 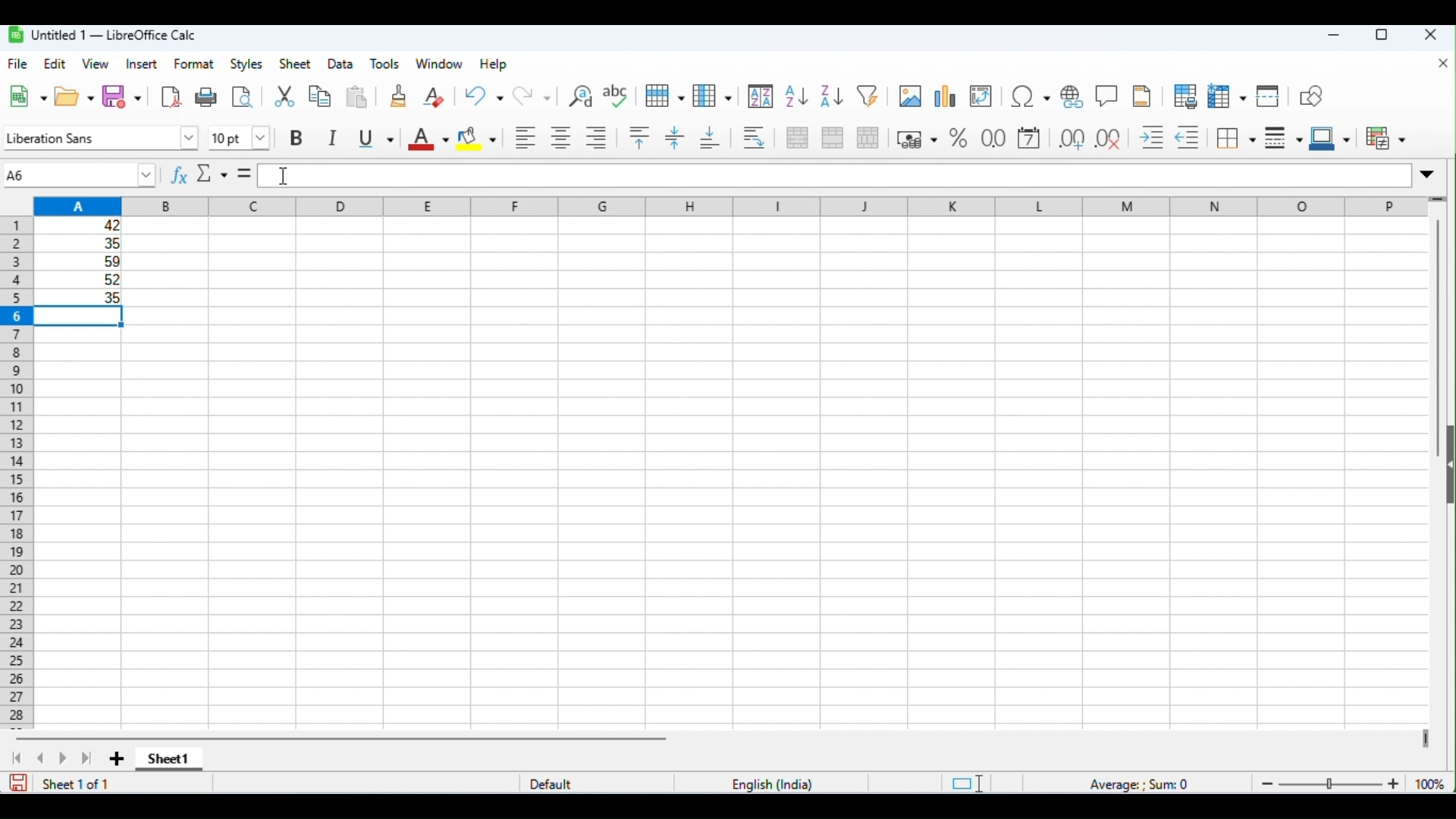 What do you see at coordinates (477, 138) in the screenshot?
I see `background color` at bounding box center [477, 138].